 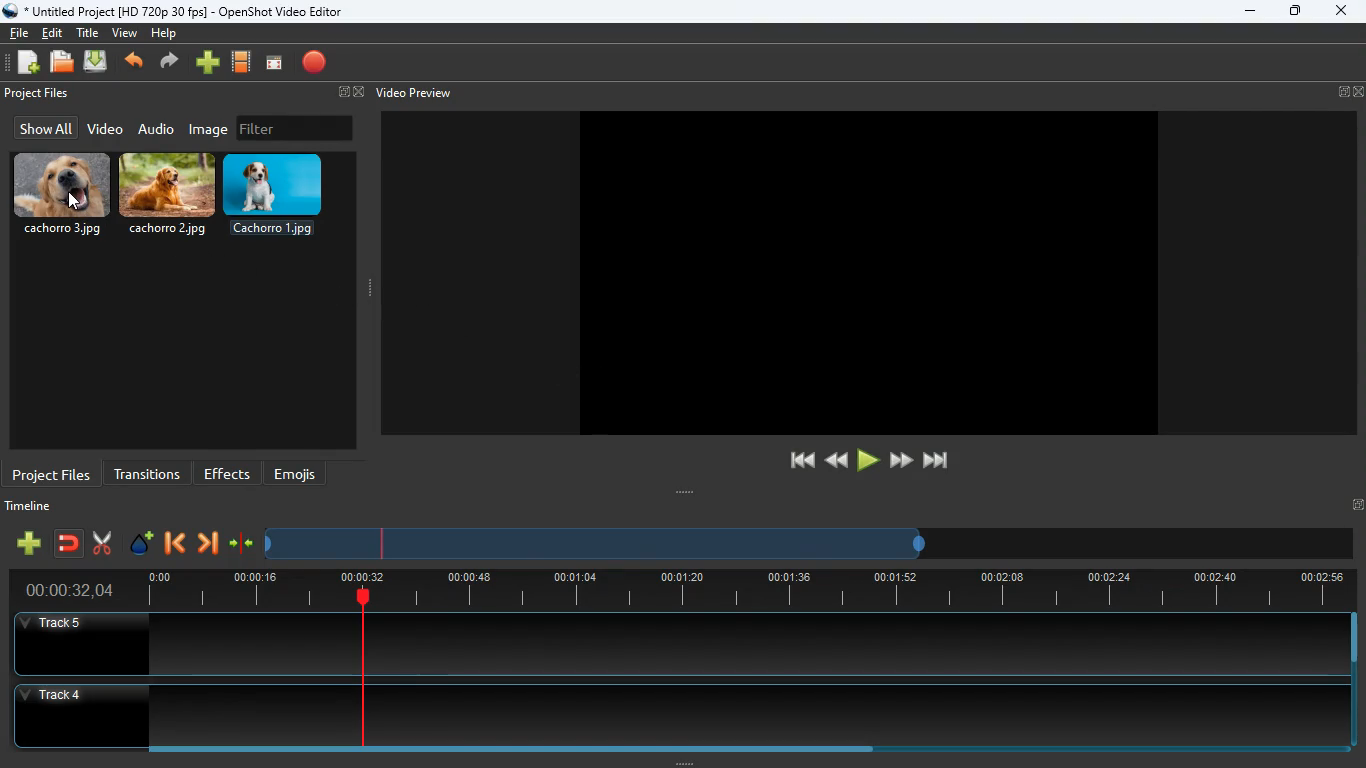 What do you see at coordinates (19, 31) in the screenshot?
I see `file` at bounding box center [19, 31].